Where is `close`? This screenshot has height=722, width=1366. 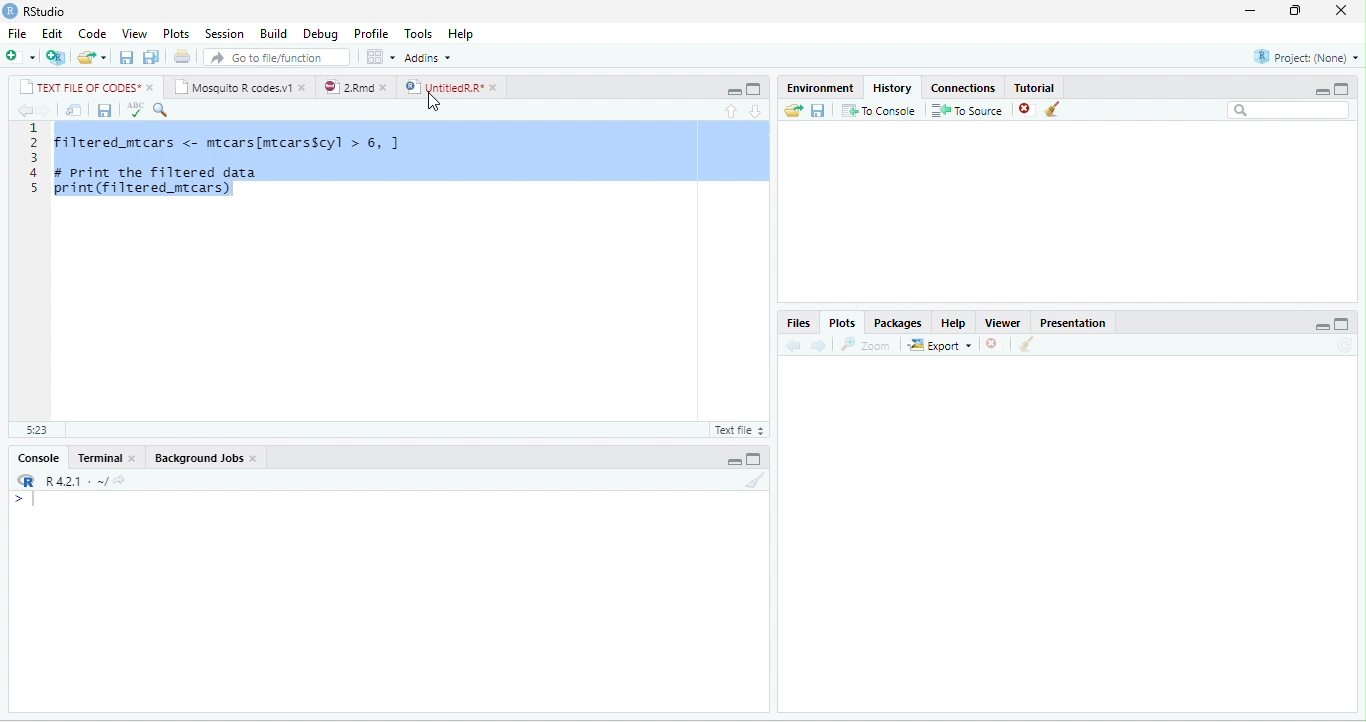
close is located at coordinates (254, 459).